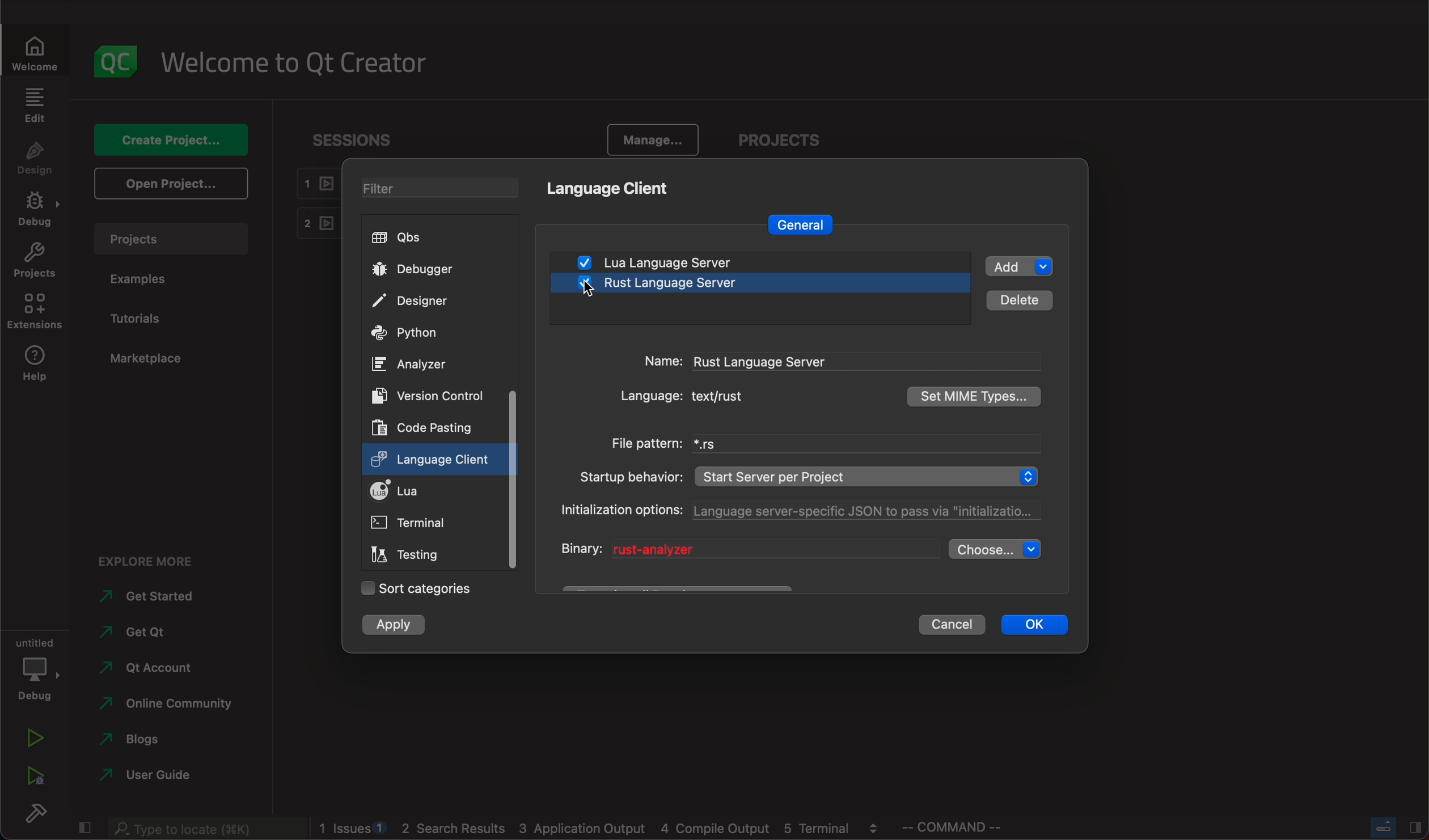 This screenshot has height=840, width=1429. What do you see at coordinates (408, 524) in the screenshot?
I see `terminal` at bounding box center [408, 524].